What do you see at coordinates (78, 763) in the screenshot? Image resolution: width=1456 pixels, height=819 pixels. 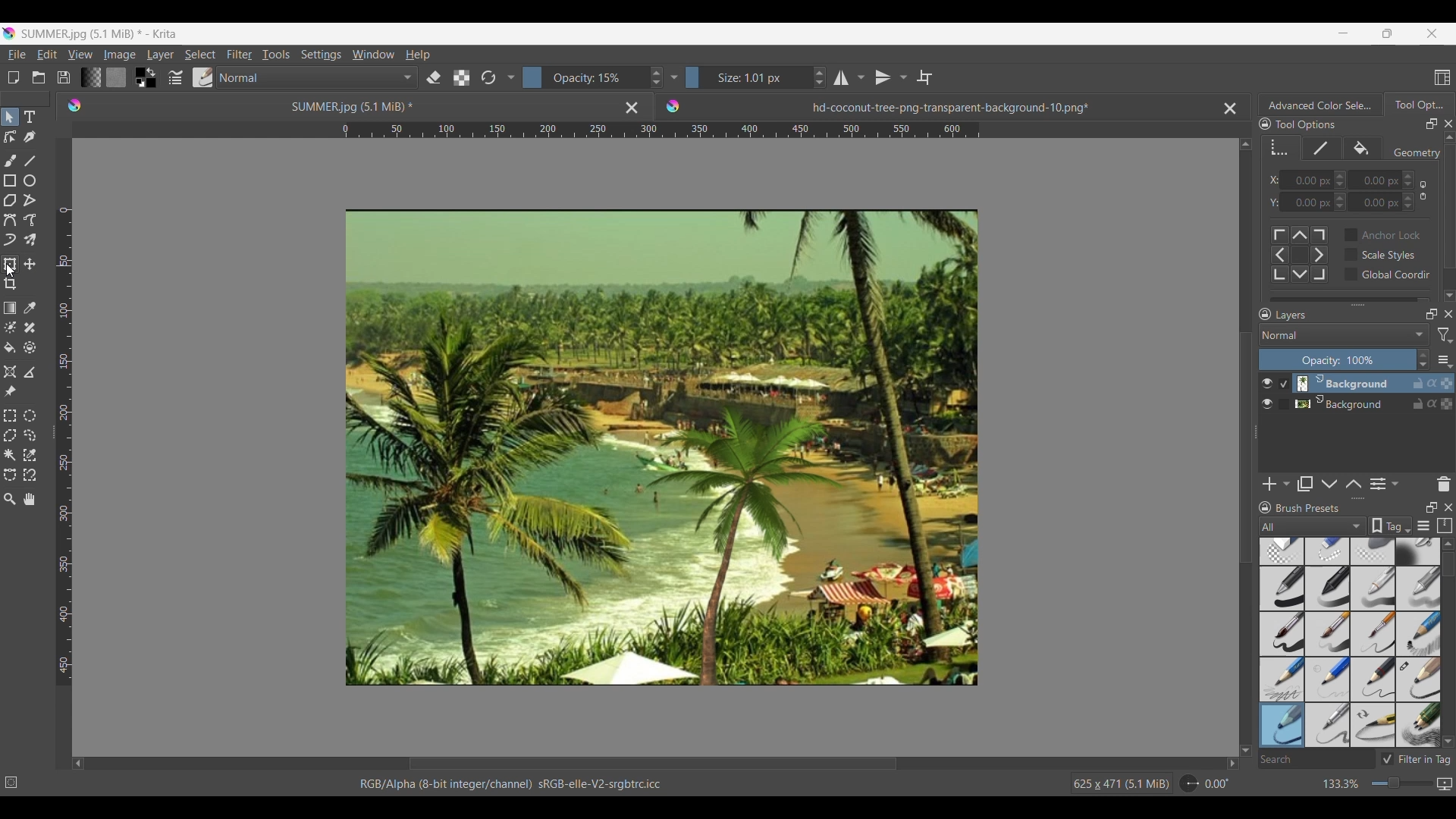 I see `Left` at bounding box center [78, 763].